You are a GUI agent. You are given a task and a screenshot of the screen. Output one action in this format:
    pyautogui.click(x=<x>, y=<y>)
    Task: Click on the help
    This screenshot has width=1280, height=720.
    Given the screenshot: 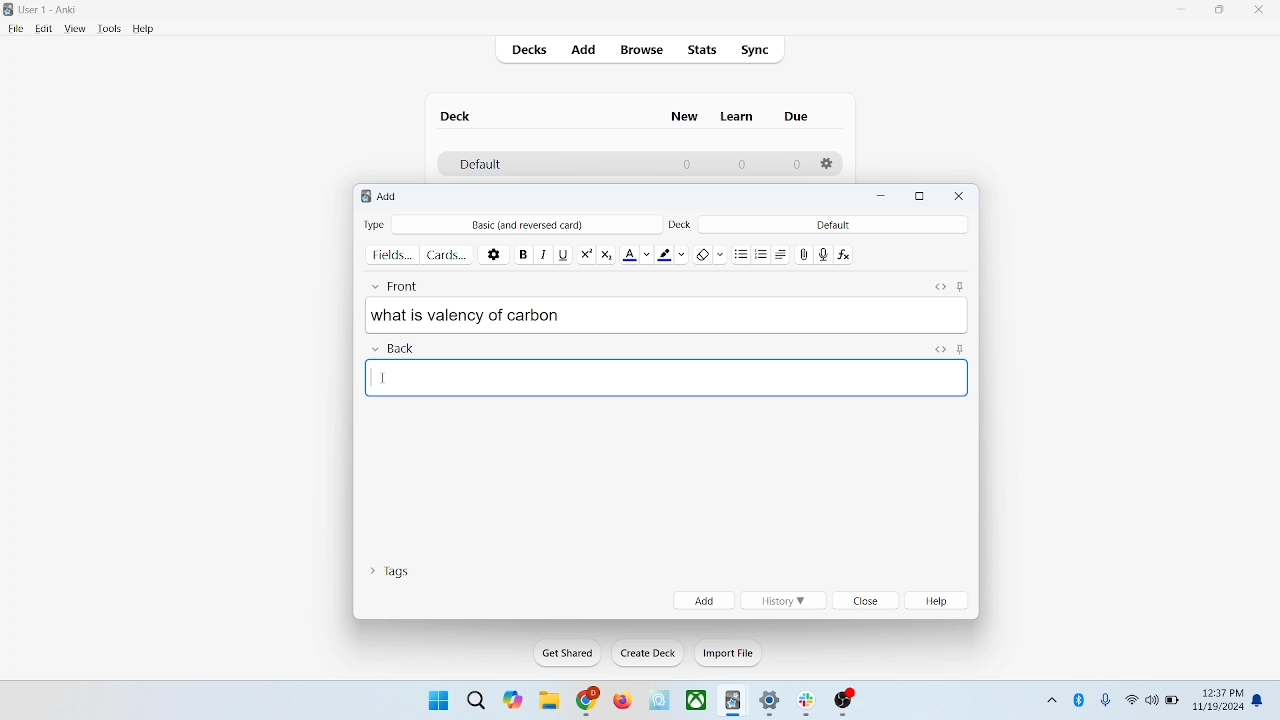 What is the action you would take?
    pyautogui.click(x=940, y=601)
    